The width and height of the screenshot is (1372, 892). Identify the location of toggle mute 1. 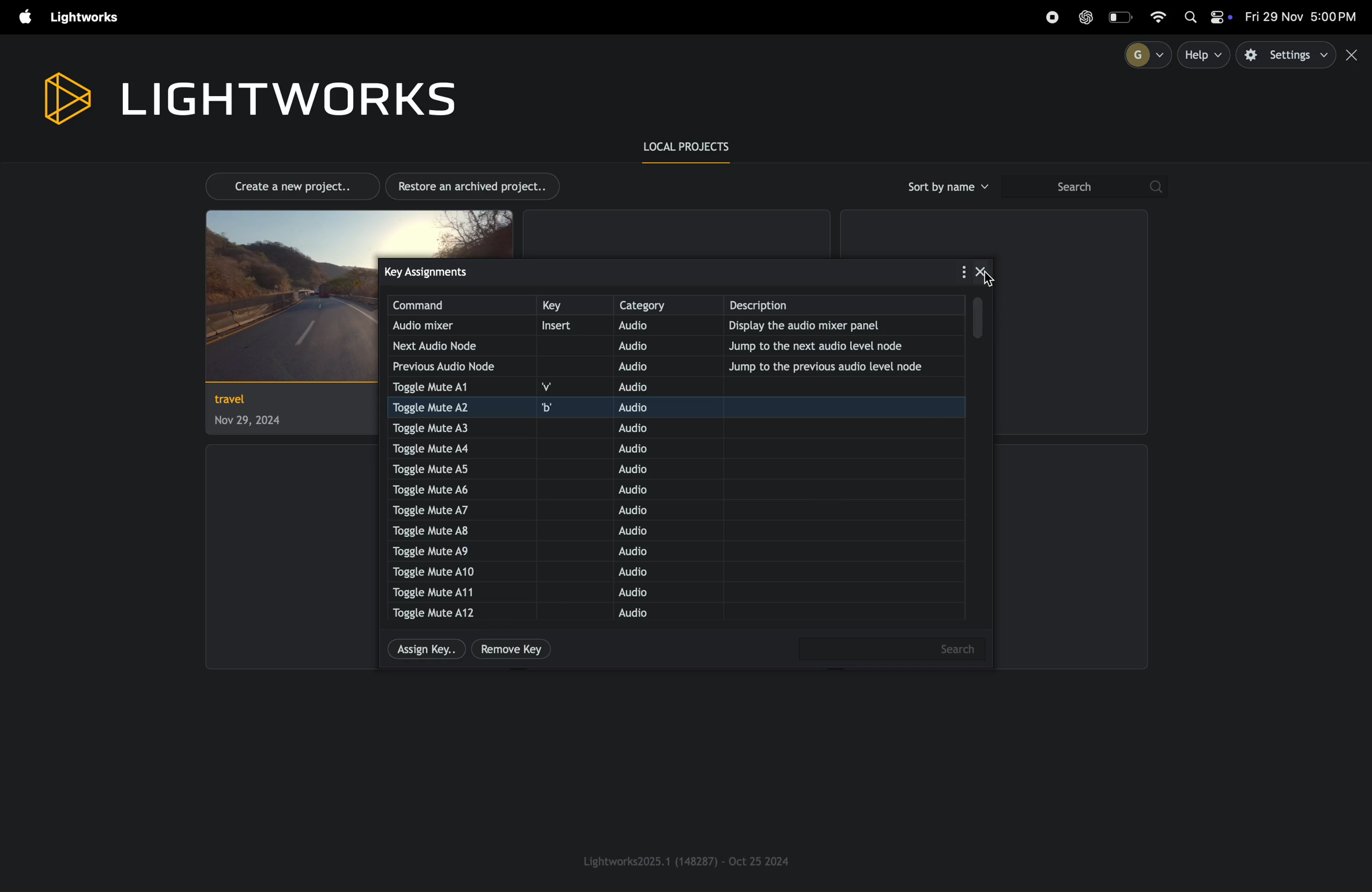
(443, 388).